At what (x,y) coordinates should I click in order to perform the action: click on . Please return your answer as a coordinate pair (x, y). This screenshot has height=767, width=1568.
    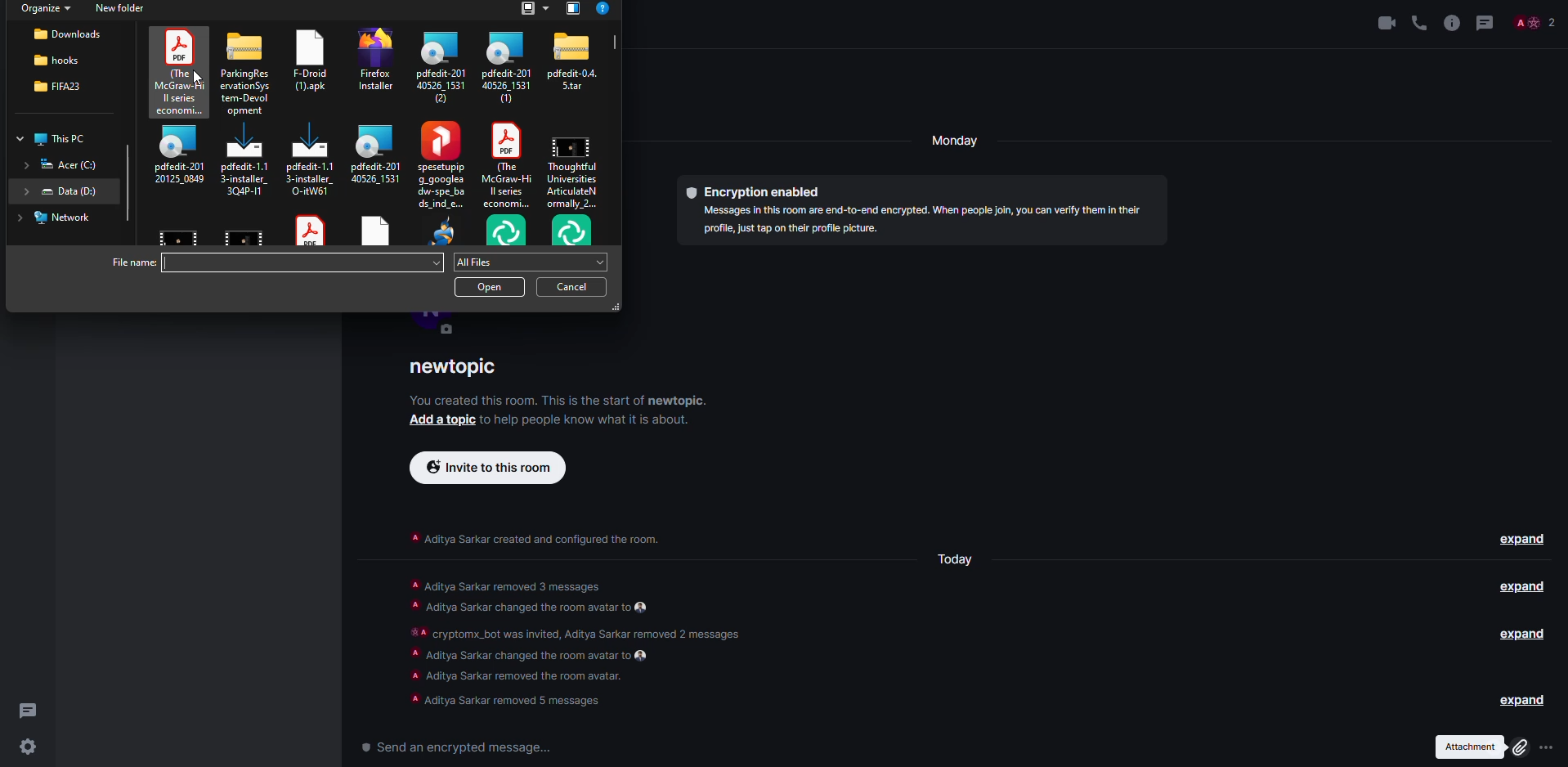
    Looking at the image, I should click on (571, 166).